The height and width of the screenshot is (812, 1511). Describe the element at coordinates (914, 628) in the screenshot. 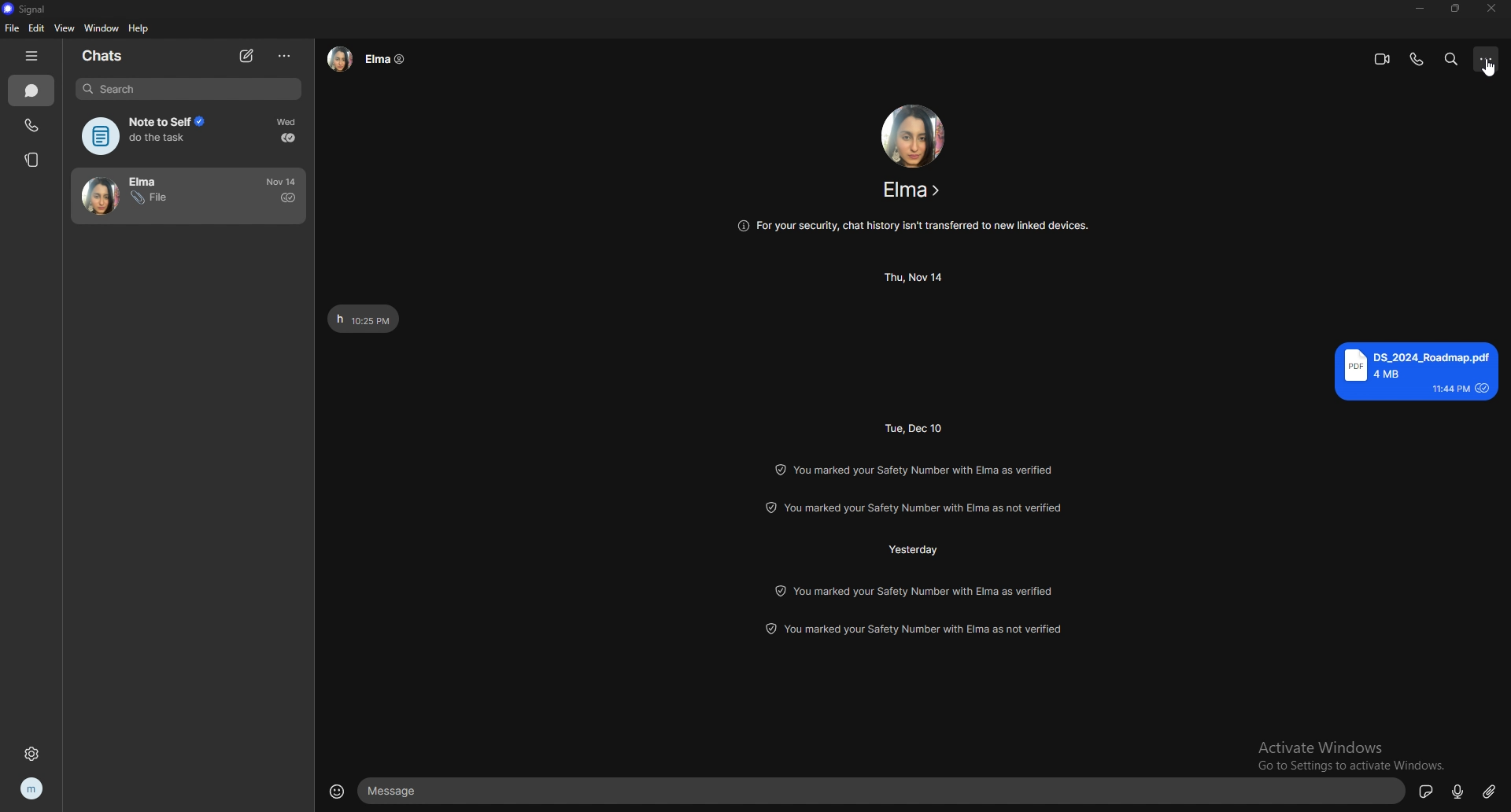

I see `info` at that location.